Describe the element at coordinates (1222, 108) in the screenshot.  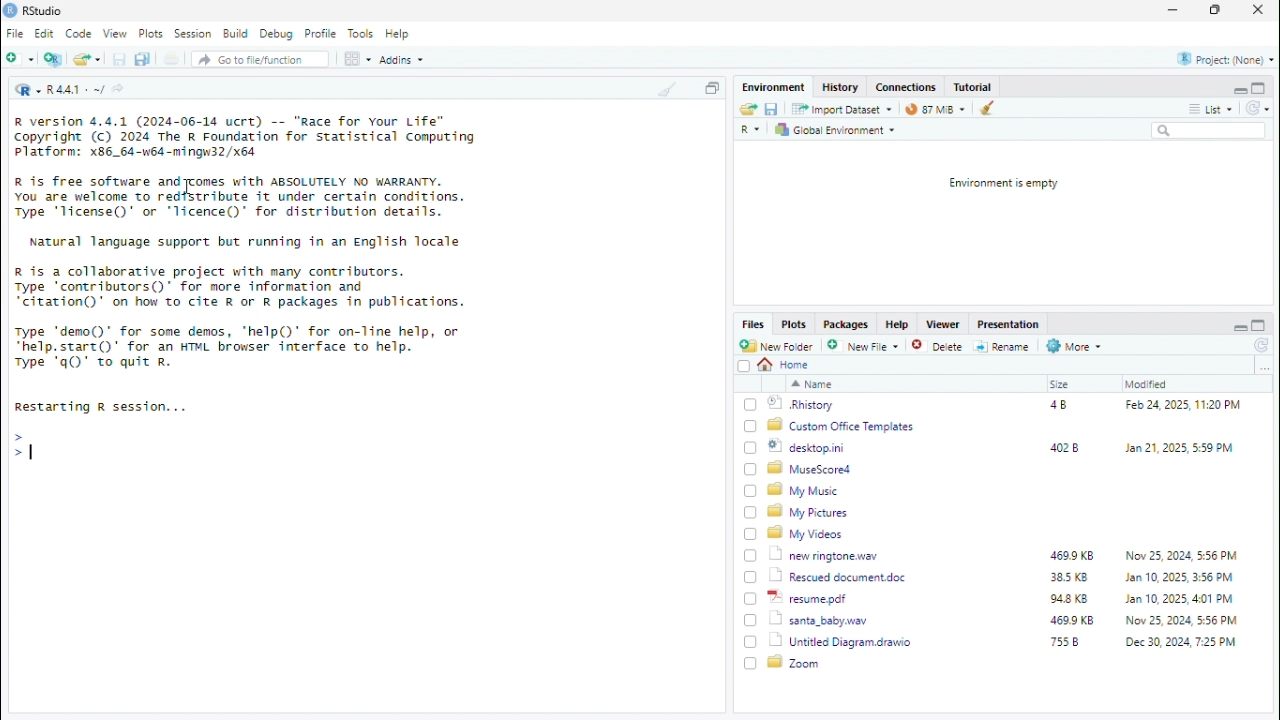
I see `list` at that location.